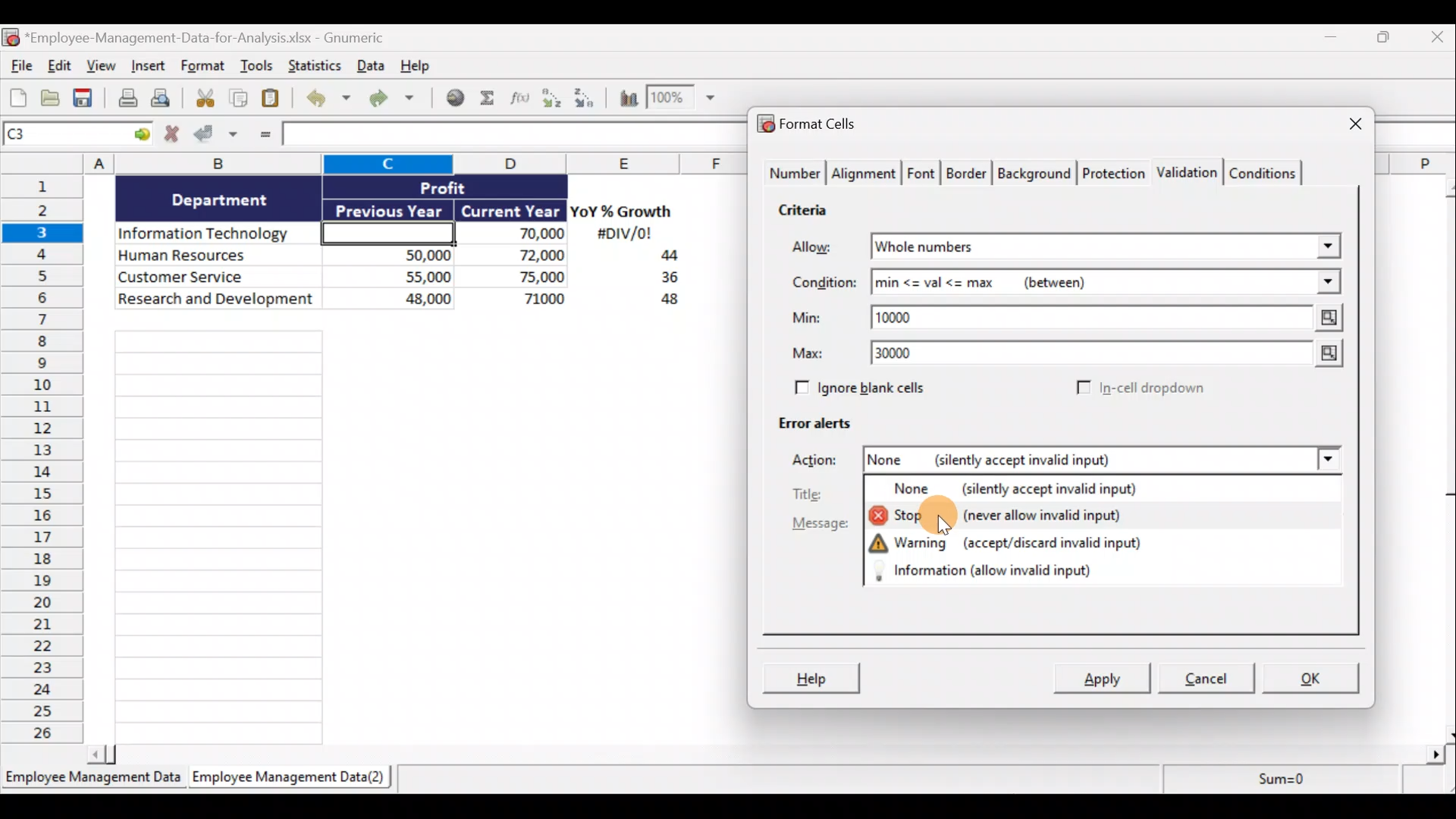 The width and height of the screenshot is (1456, 819). What do you see at coordinates (1385, 41) in the screenshot?
I see `Restore down` at bounding box center [1385, 41].